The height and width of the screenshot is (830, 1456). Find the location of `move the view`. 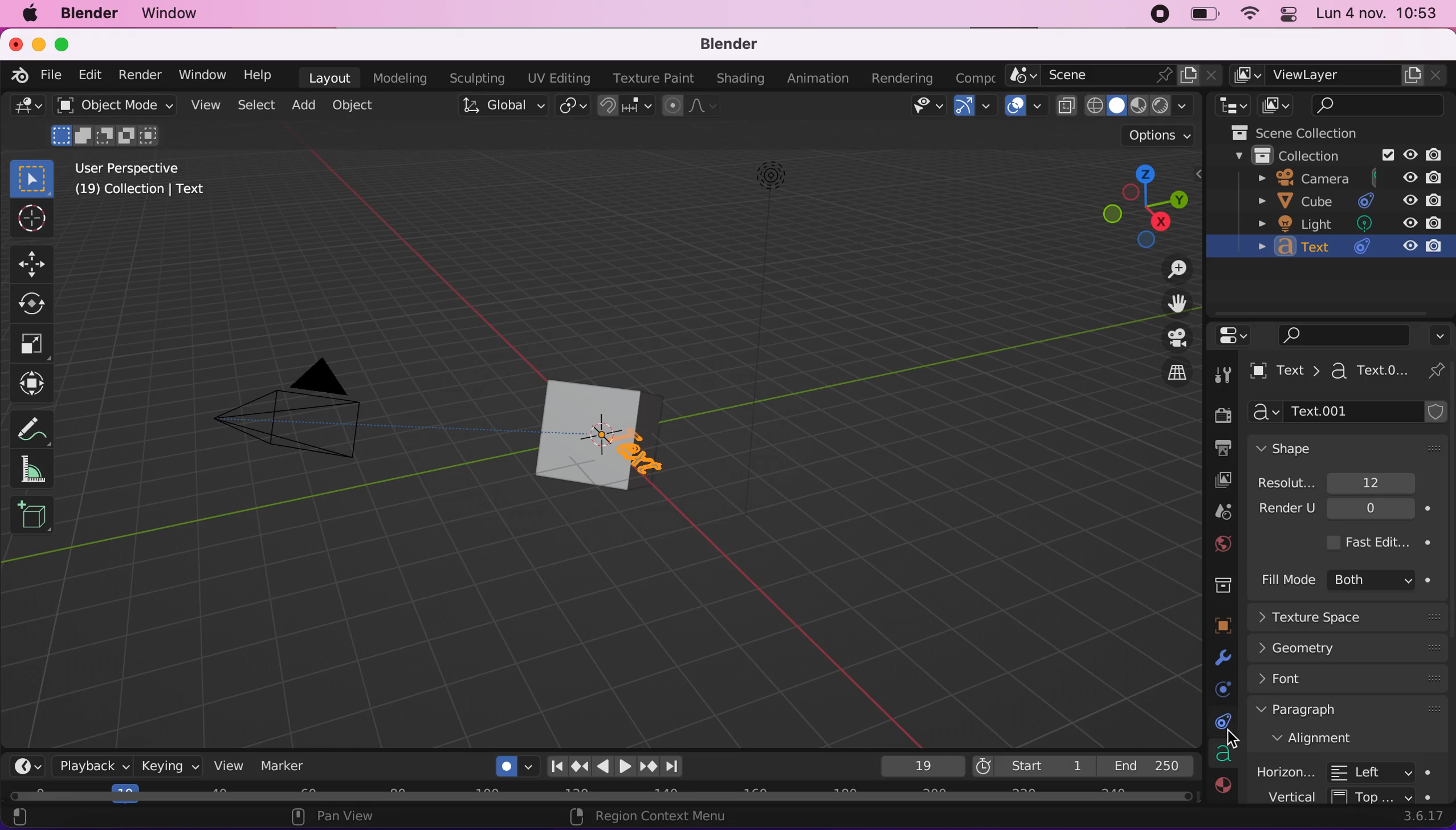

move the view is located at coordinates (1177, 304).